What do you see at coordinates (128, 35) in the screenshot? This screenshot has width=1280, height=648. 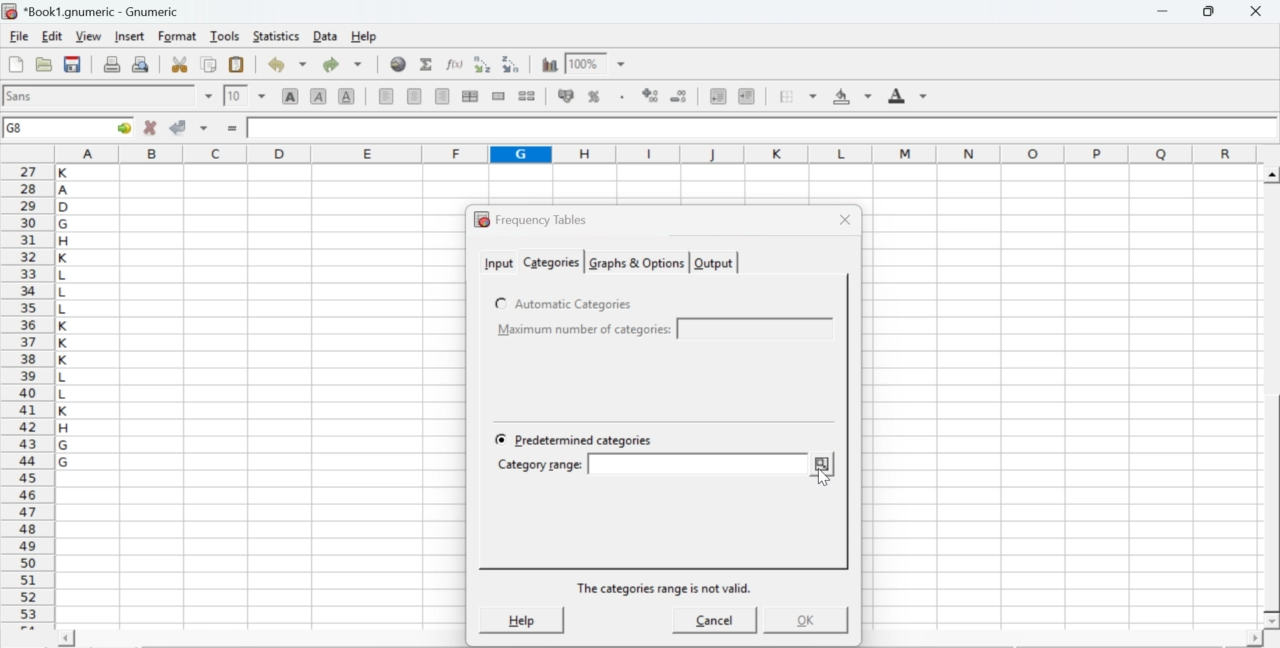 I see `insert` at bounding box center [128, 35].